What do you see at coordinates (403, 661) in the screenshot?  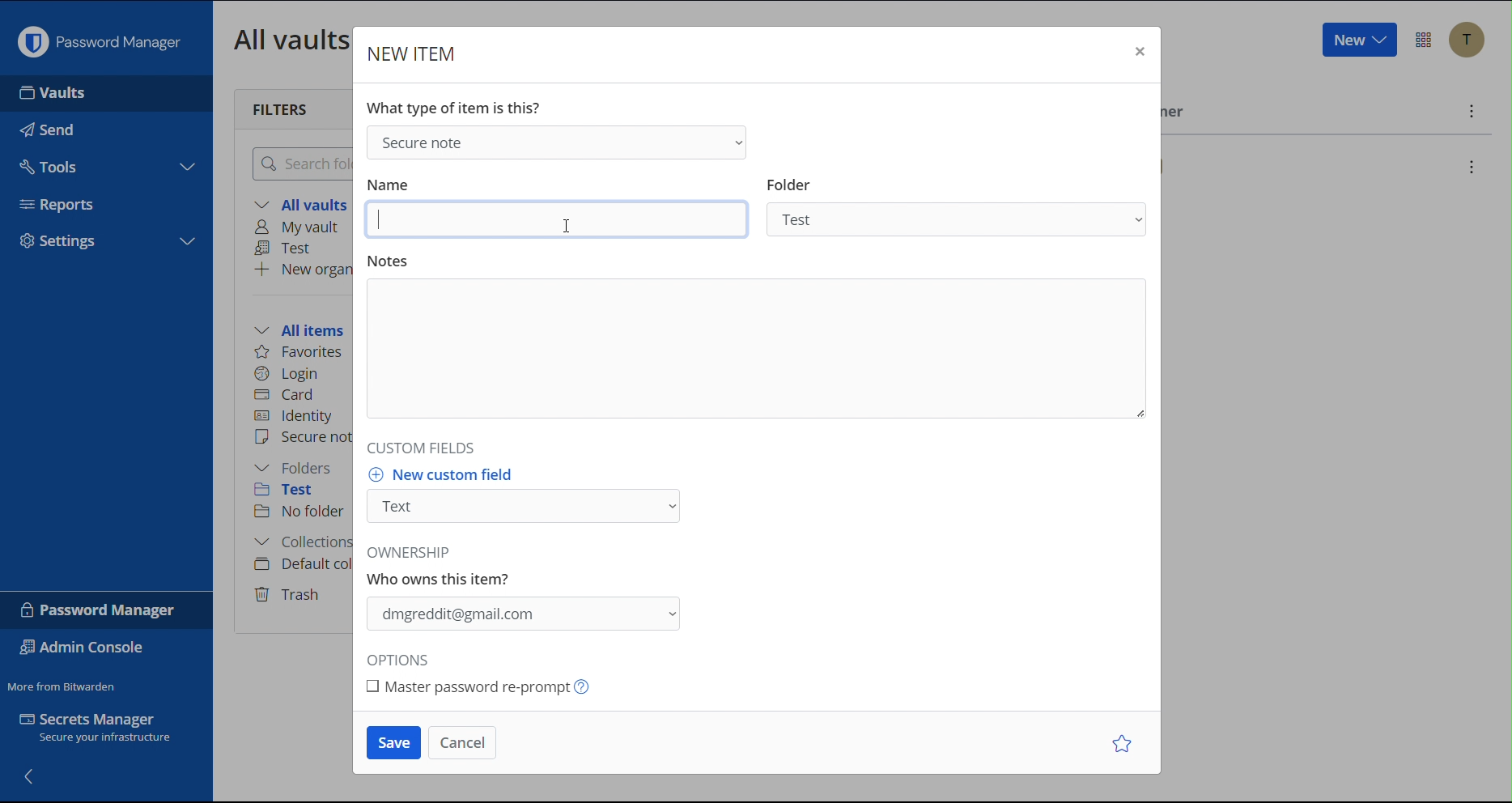 I see `Options` at bounding box center [403, 661].